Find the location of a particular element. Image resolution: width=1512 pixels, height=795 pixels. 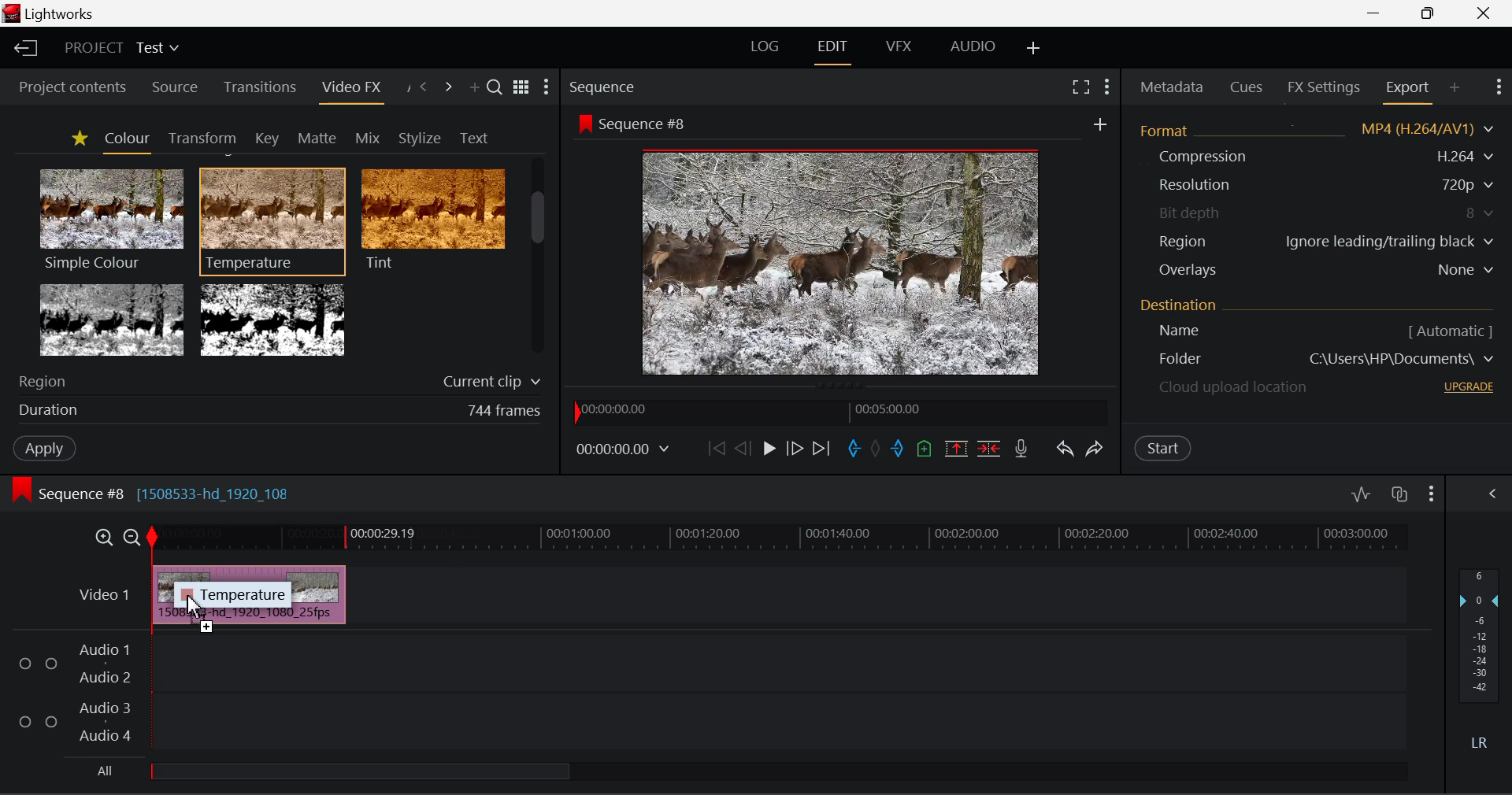

Previous Panel is located at coordinates (425, 89).